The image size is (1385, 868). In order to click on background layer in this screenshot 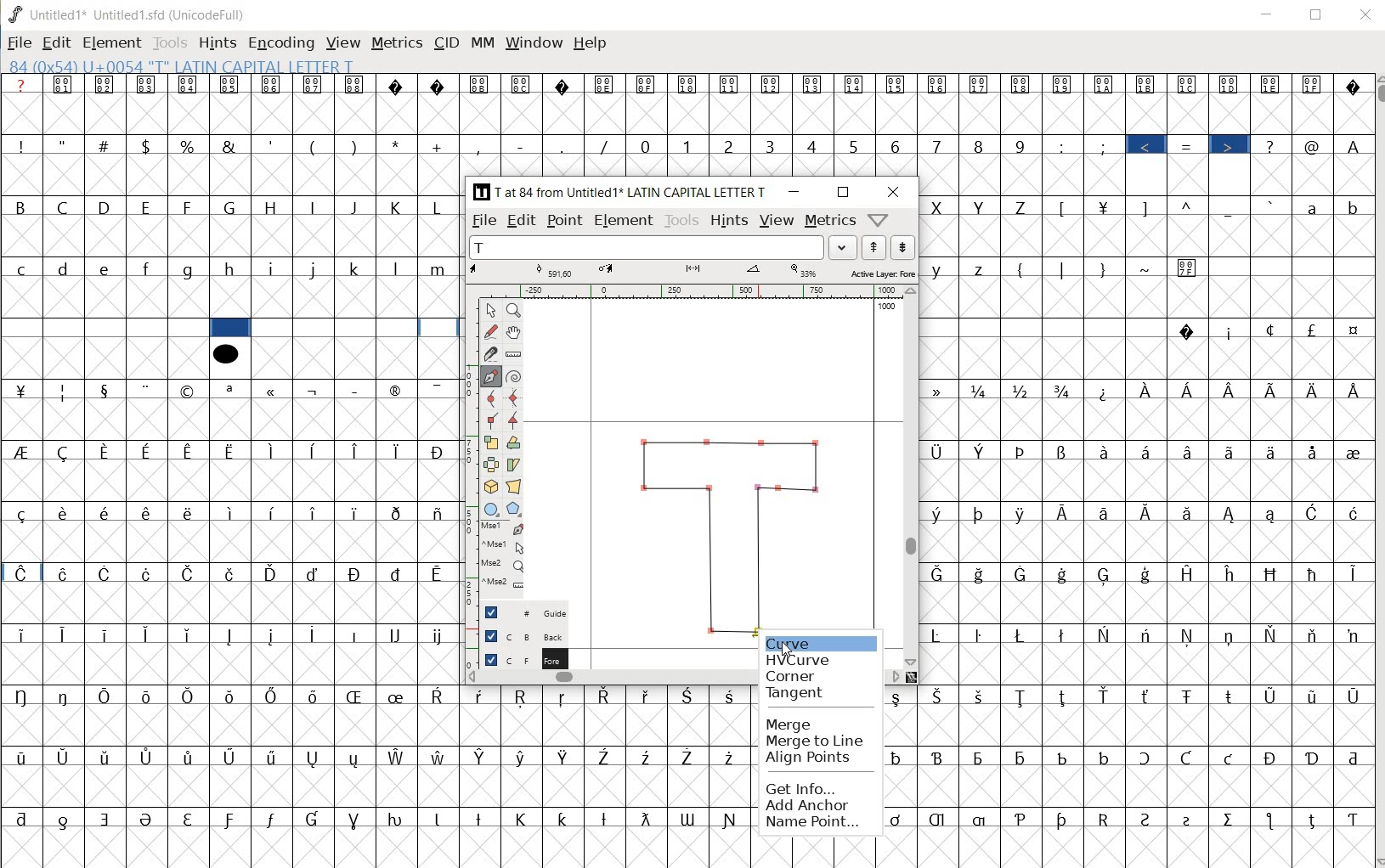, I will do `click(524, 635)`.